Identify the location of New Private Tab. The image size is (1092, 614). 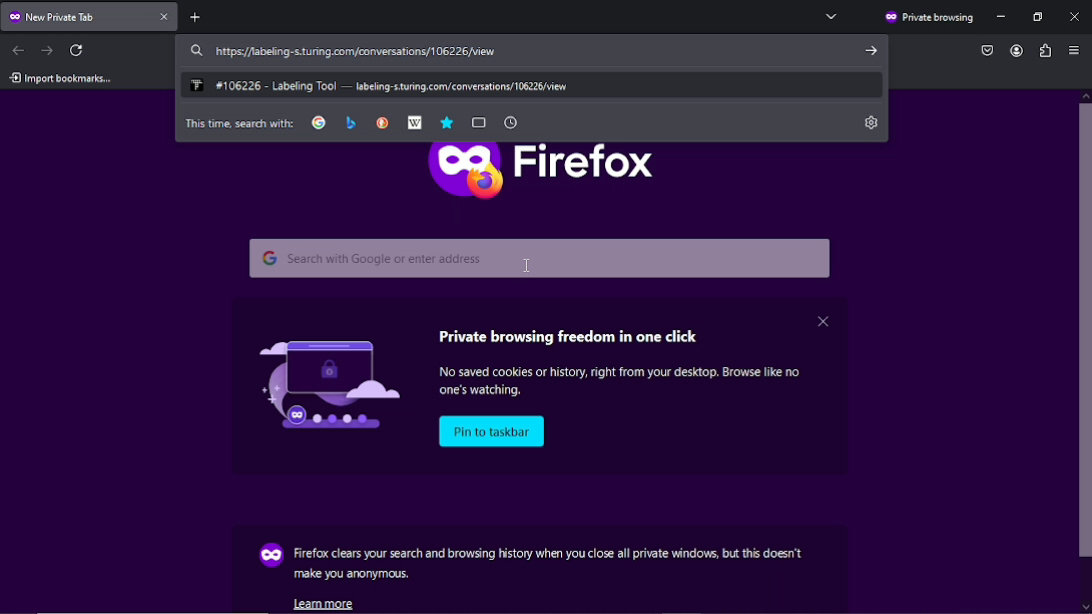
(75, 16).